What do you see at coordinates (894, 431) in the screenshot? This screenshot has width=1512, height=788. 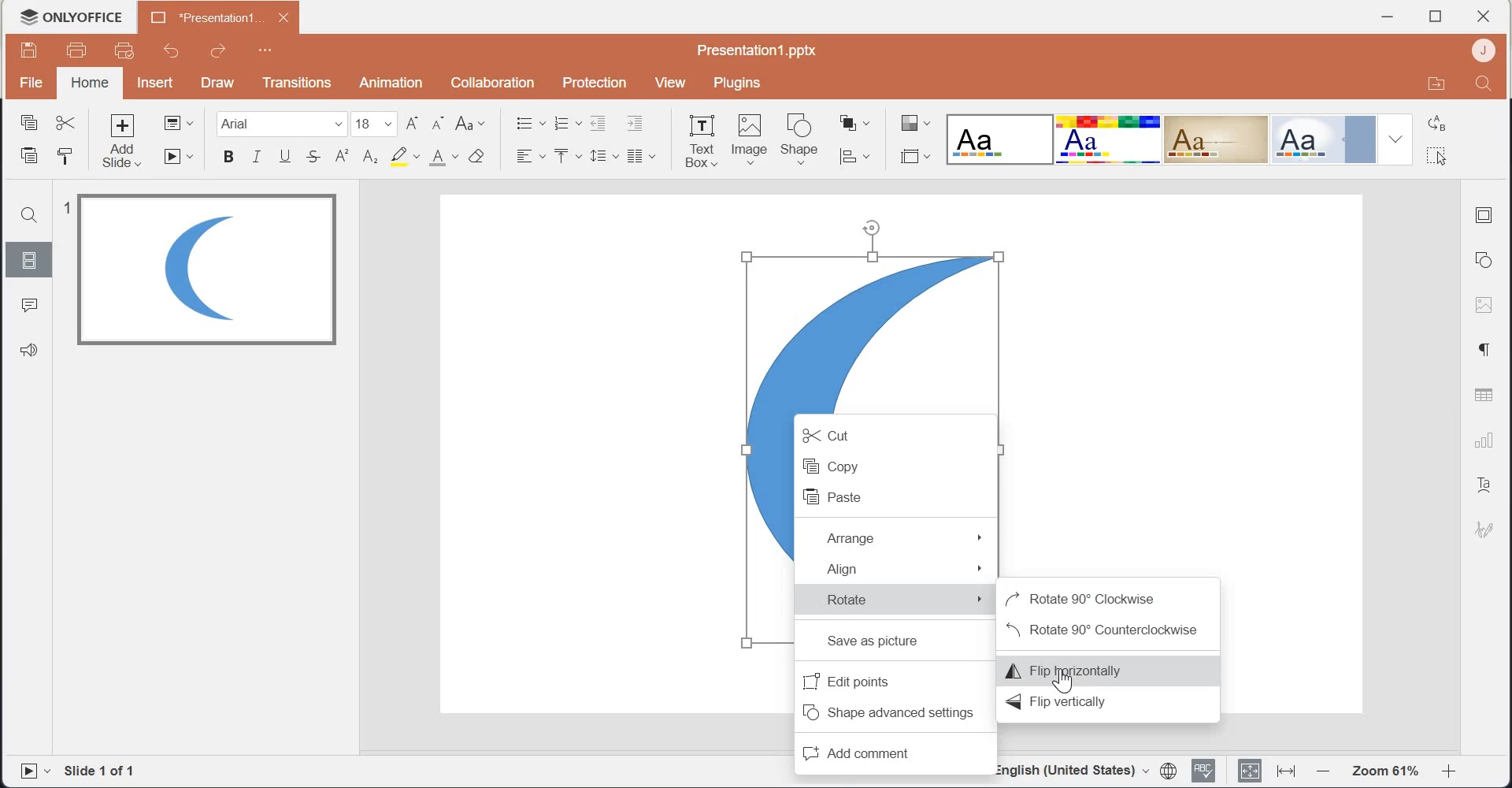 I see `Cut` at bounding box center [894, 431].